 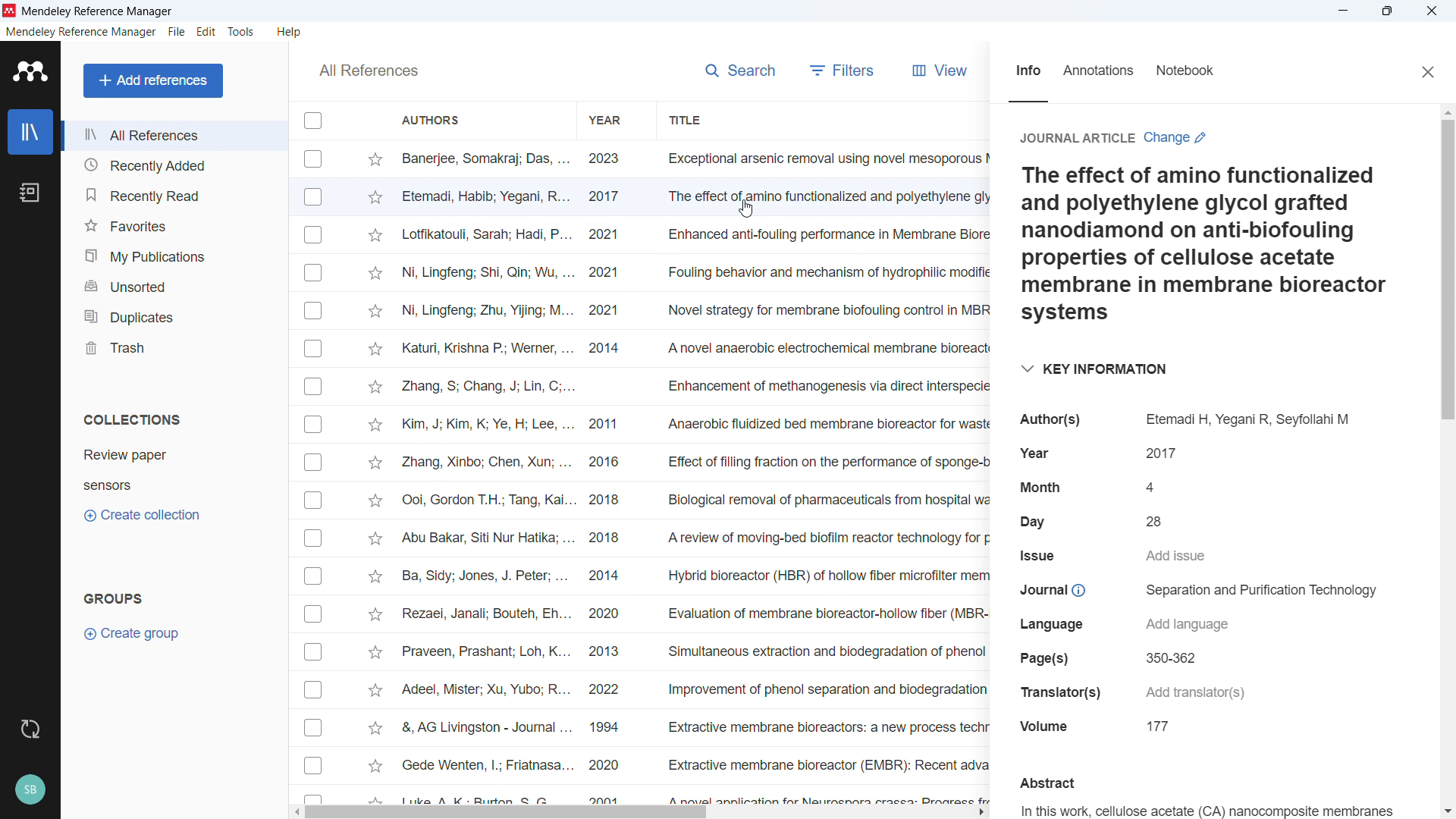 I want to click on library, so click(x=30, y=132).